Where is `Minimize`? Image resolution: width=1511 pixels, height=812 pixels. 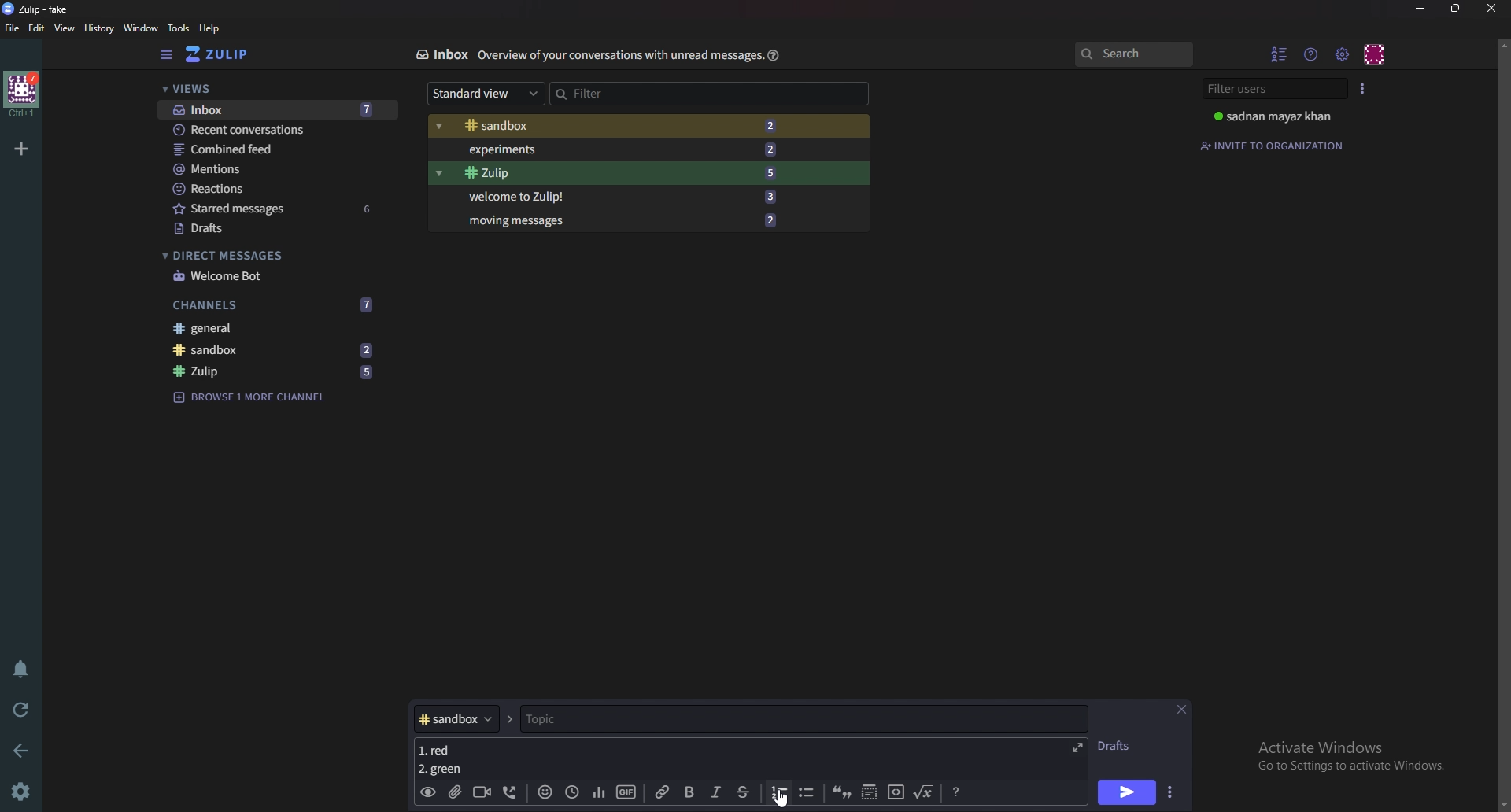
Minimize is located at coordinates (1421, 8).